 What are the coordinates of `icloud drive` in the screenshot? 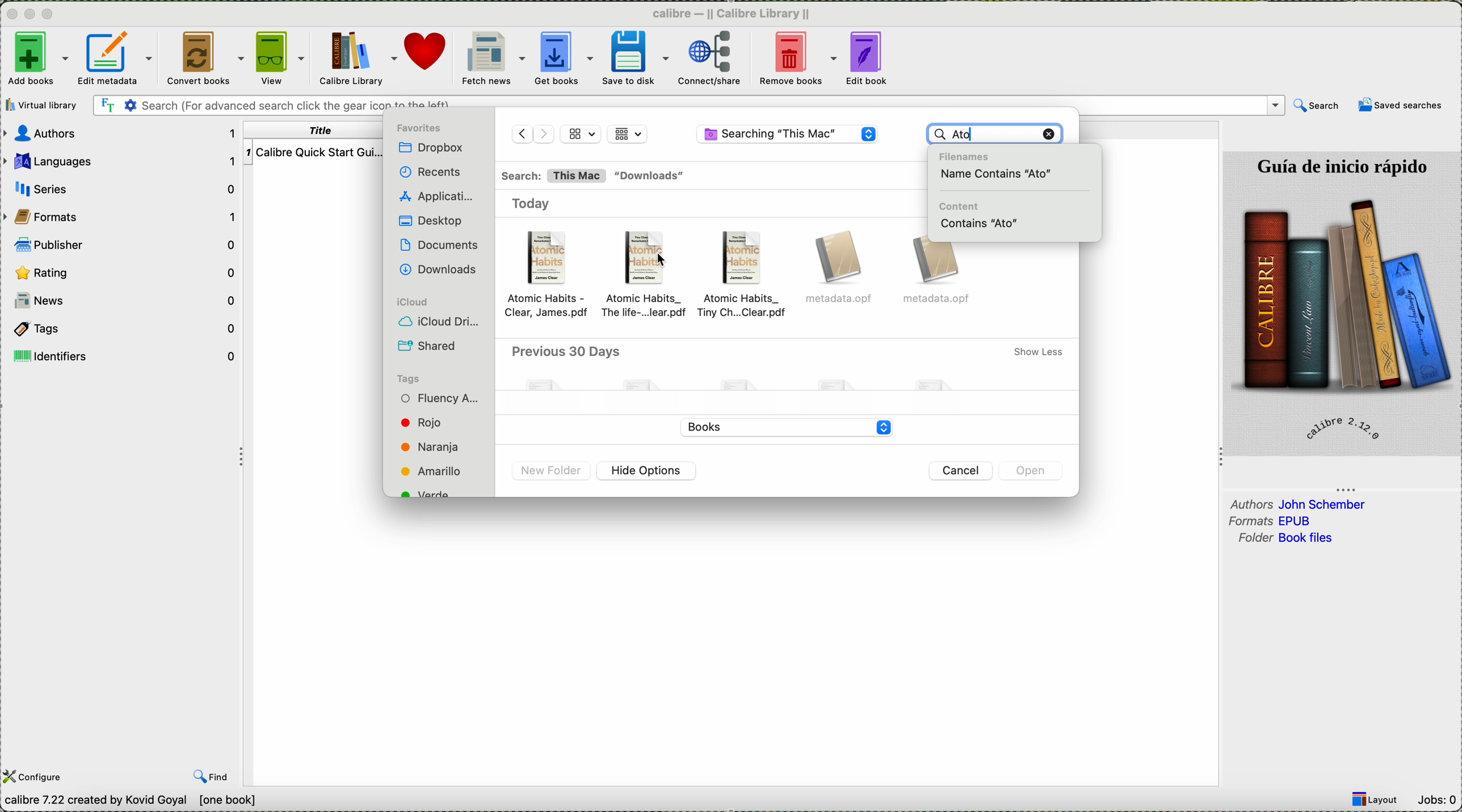 It's located at (441, 321).